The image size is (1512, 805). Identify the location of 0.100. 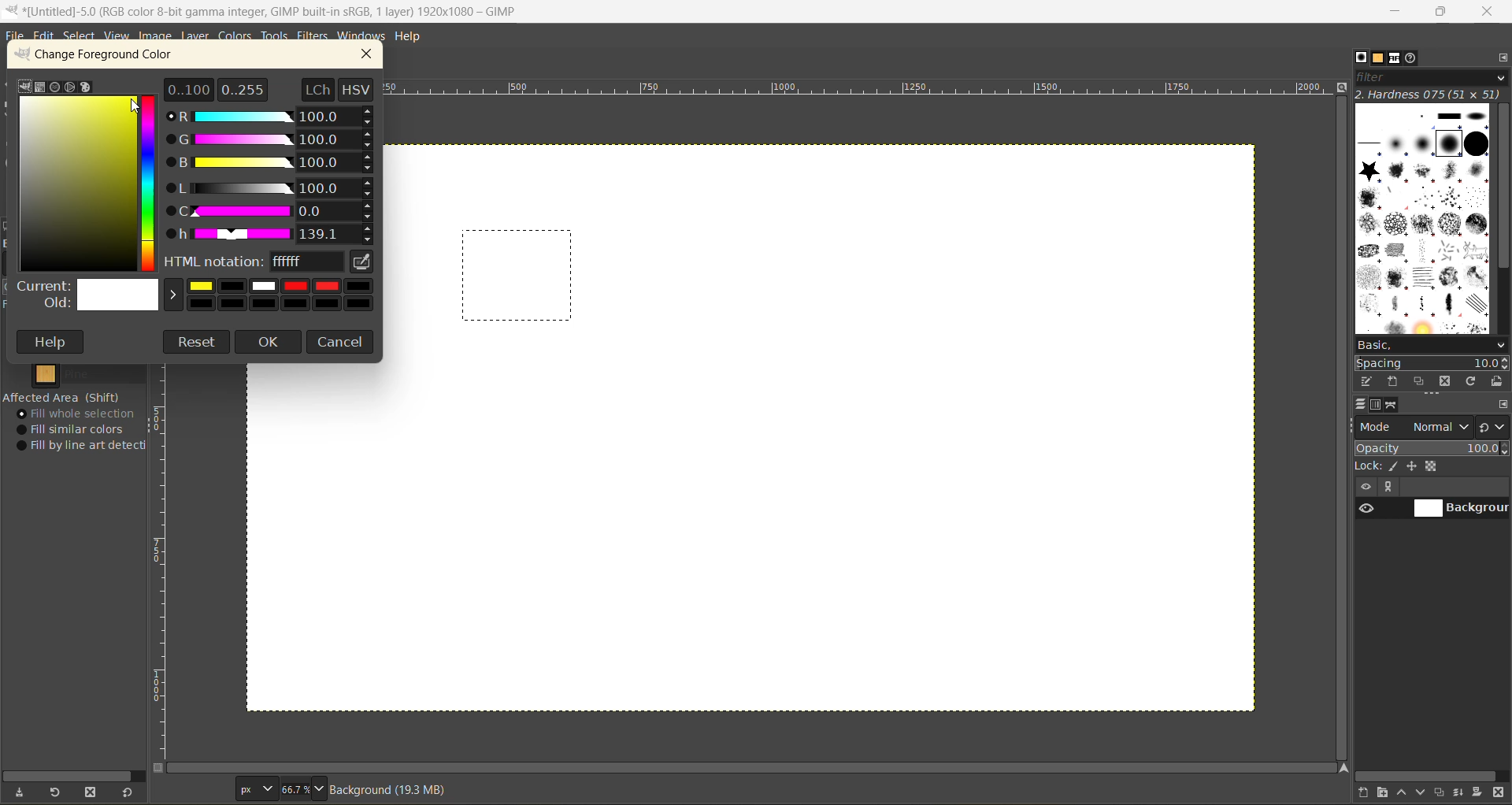
(189, 88).